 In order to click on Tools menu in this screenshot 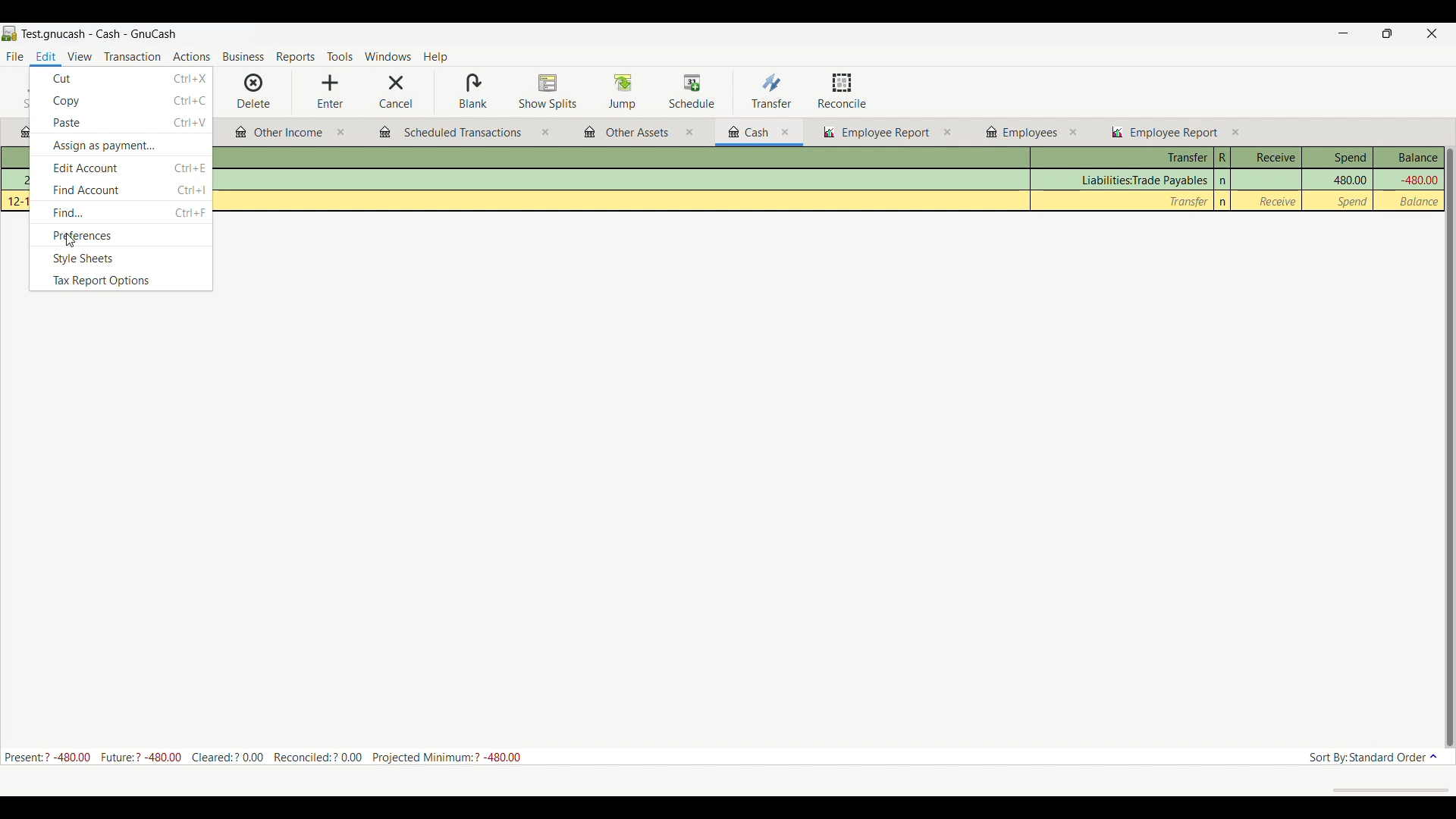, I will do `click(340, 56)`.